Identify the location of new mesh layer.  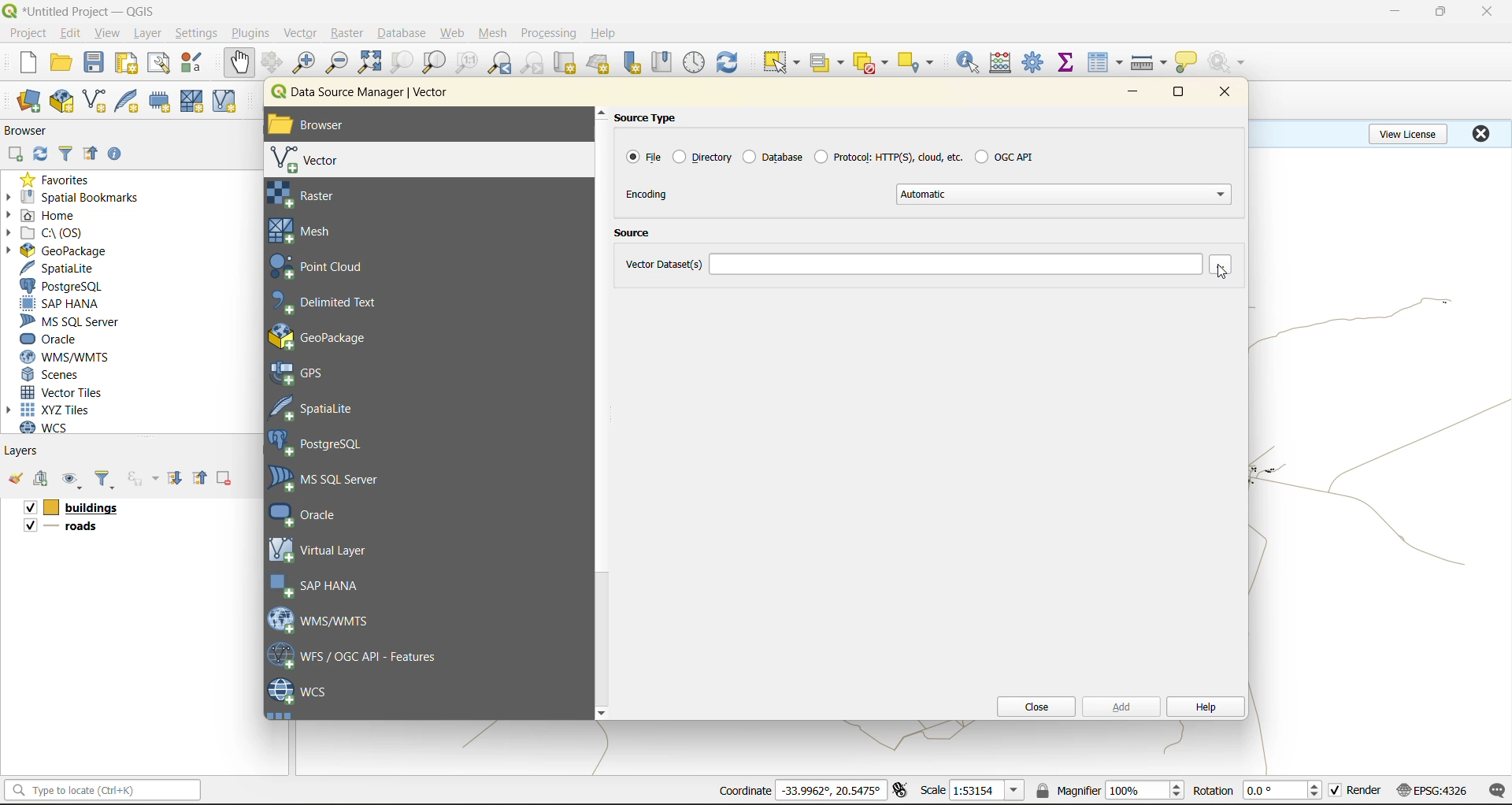
(195, 103).